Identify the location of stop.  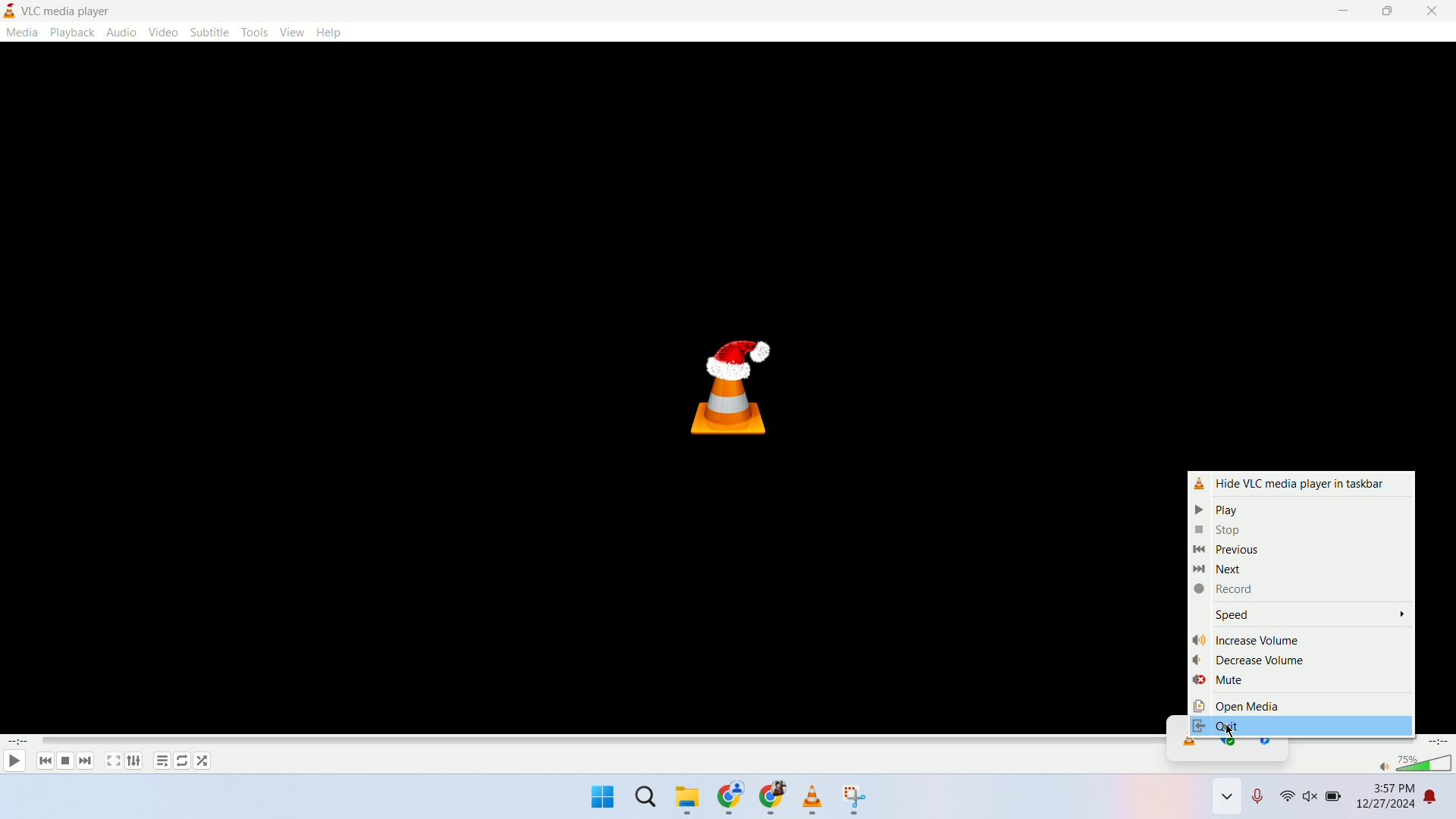
(1296, 530).